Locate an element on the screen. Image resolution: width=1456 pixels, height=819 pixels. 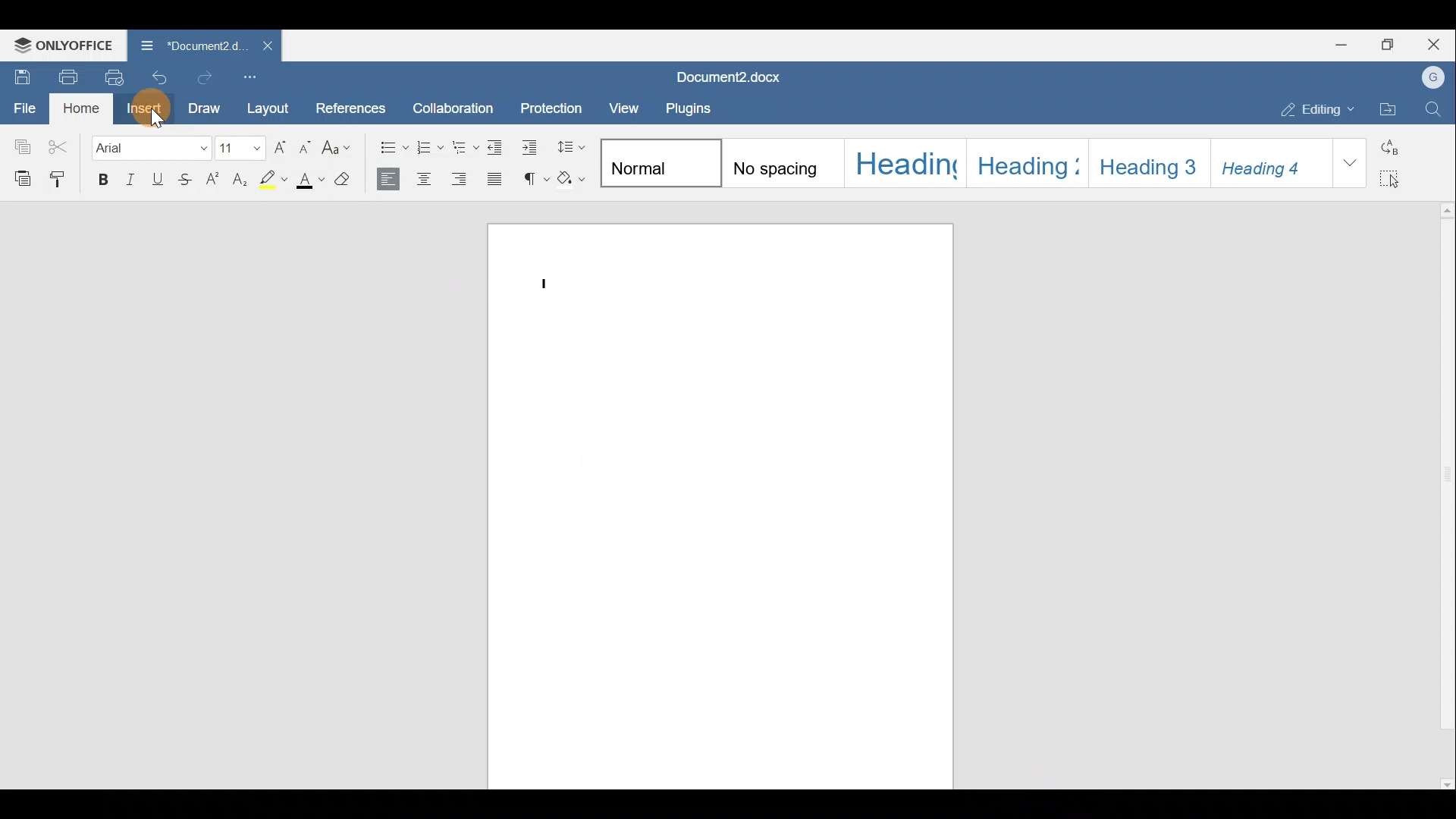
Font size is located at coordinates (241, 147).